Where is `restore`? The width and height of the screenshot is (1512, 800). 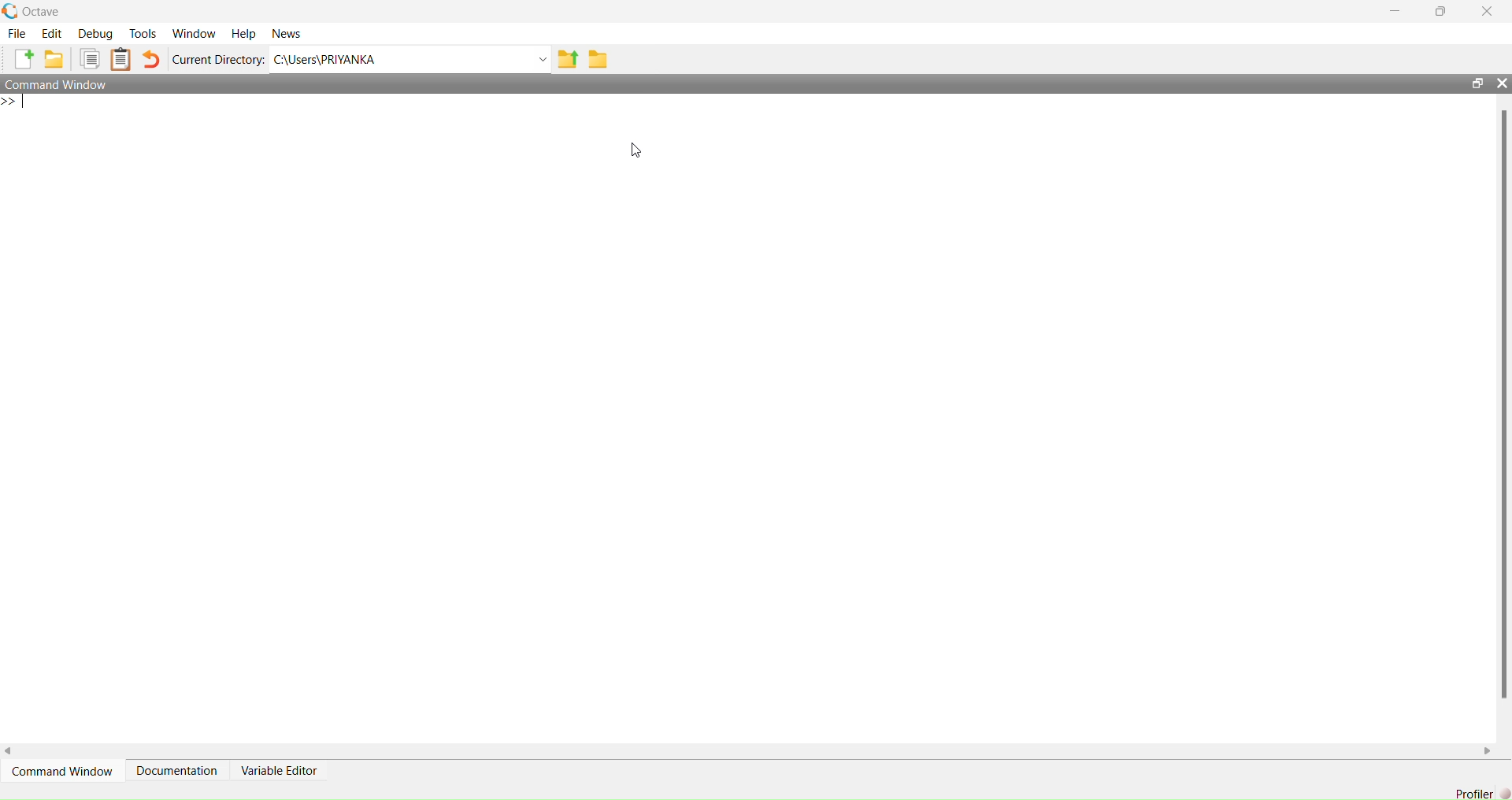
restore is located at coordinates (1440, 11).